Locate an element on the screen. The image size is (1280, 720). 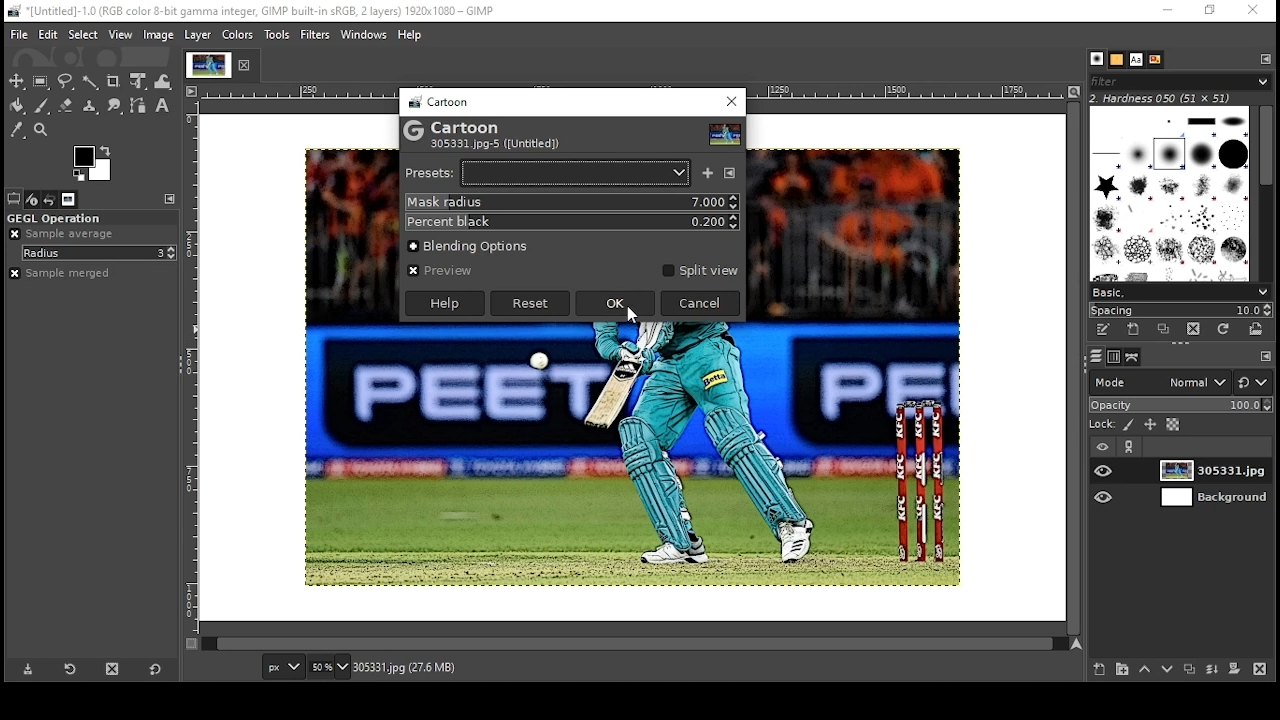
logo is located at coordinates (413, 130).